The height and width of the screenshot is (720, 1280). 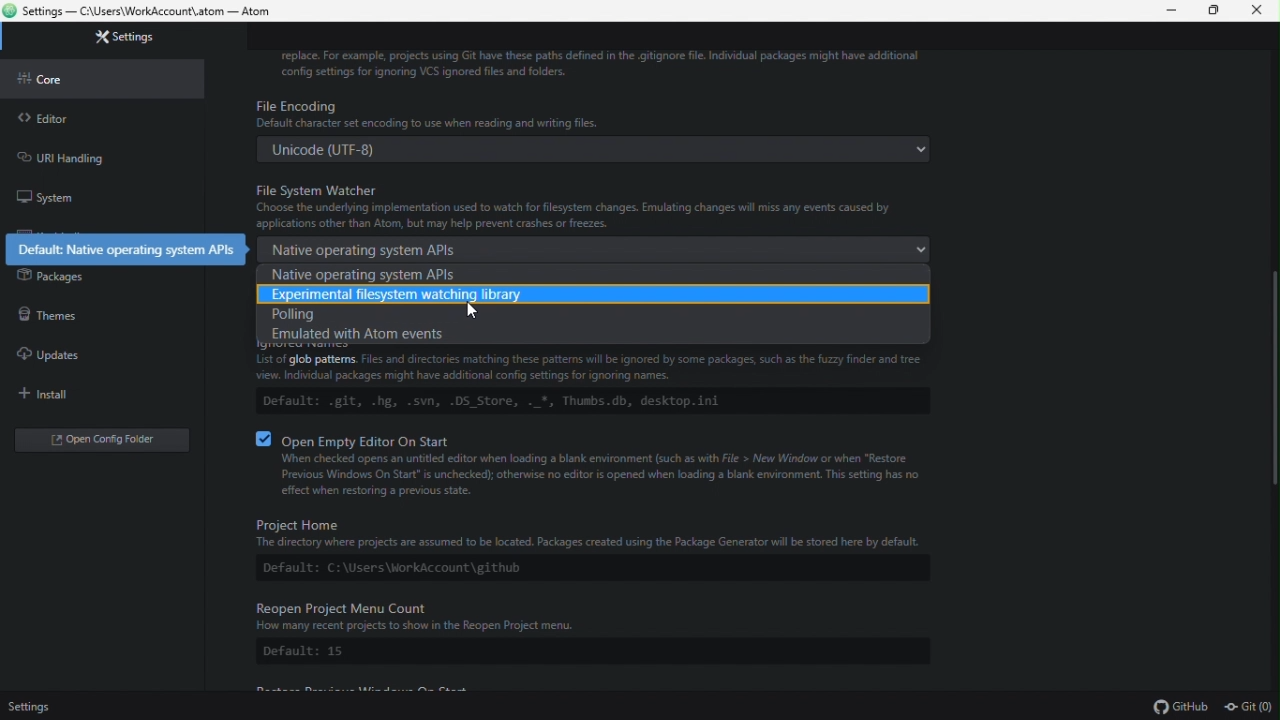 What do you see at coordinates (583, 315) in the screenshot?
I see `Polling` at bounding box center [583, 315].